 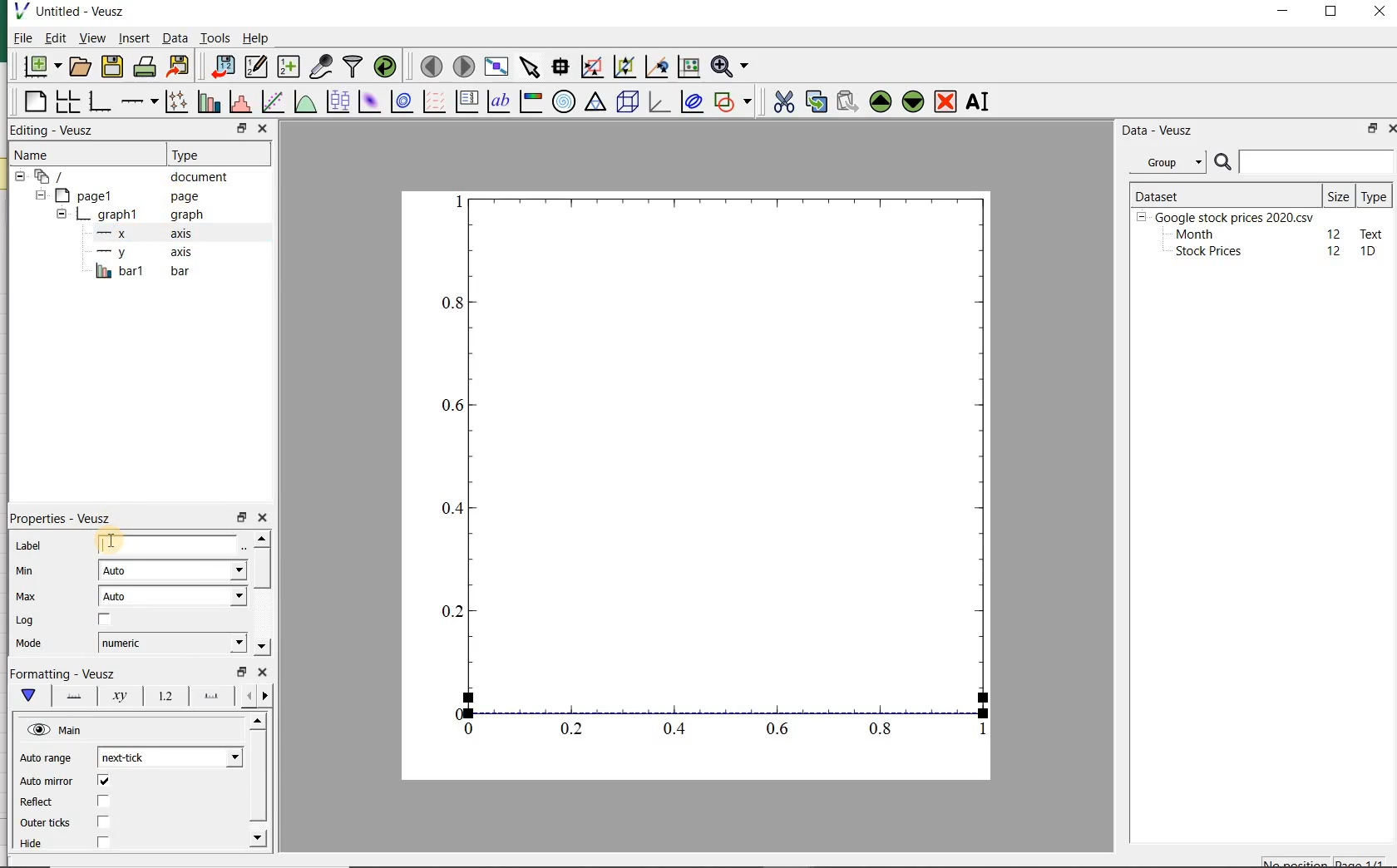 What do you see at coordinates (591, 67) in the screenshot?
I see `click or draw a rectangle to zoom graph axes` at bounding box center [591, 67].